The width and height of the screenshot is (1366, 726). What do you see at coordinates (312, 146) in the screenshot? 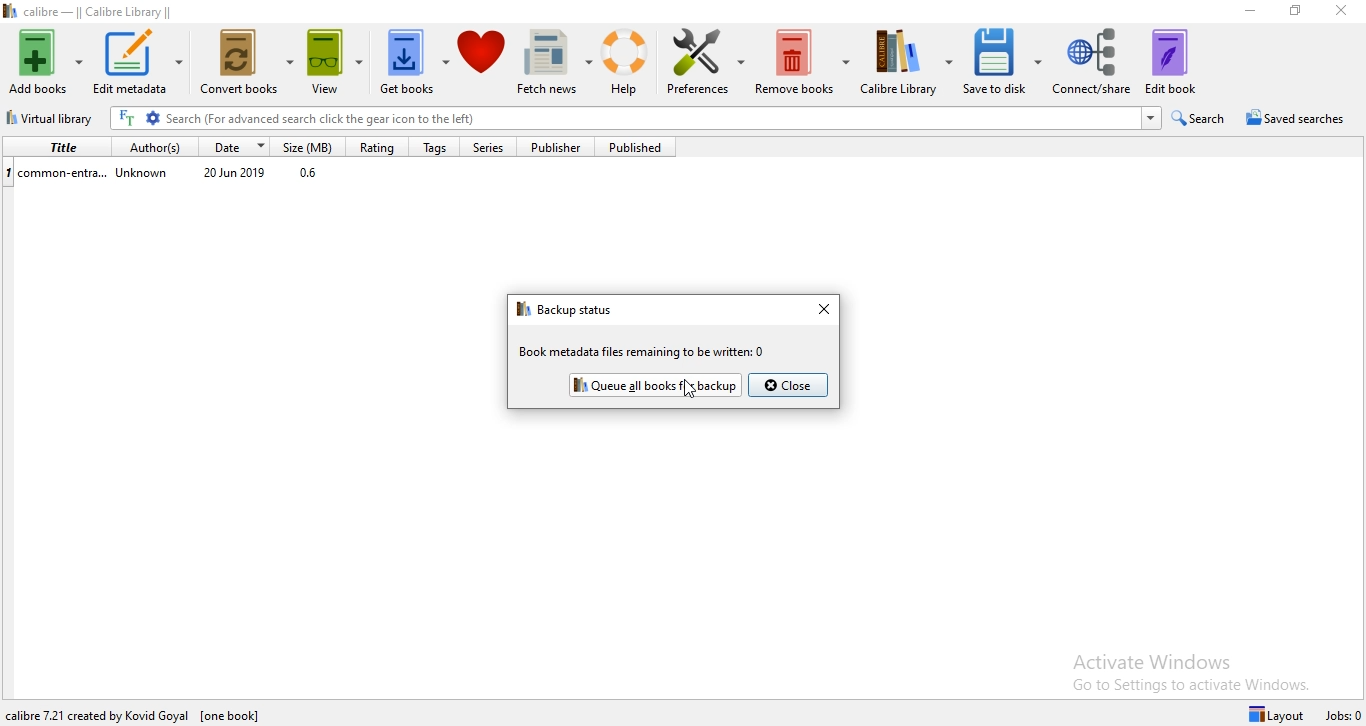
I see `Size (MB)` at bounding box center [312, 146].